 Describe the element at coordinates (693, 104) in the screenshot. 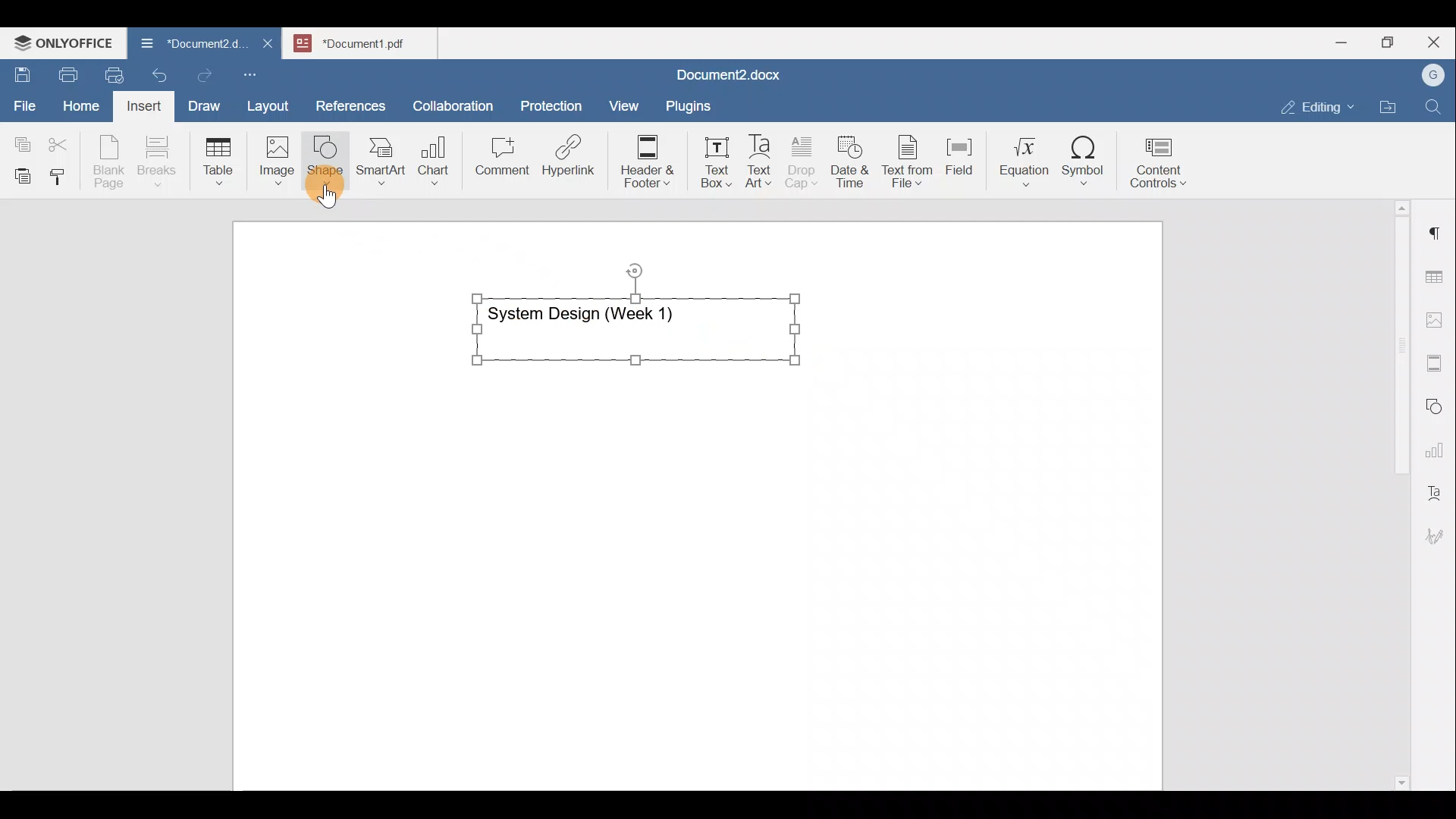

I see `Plugins` at that location.